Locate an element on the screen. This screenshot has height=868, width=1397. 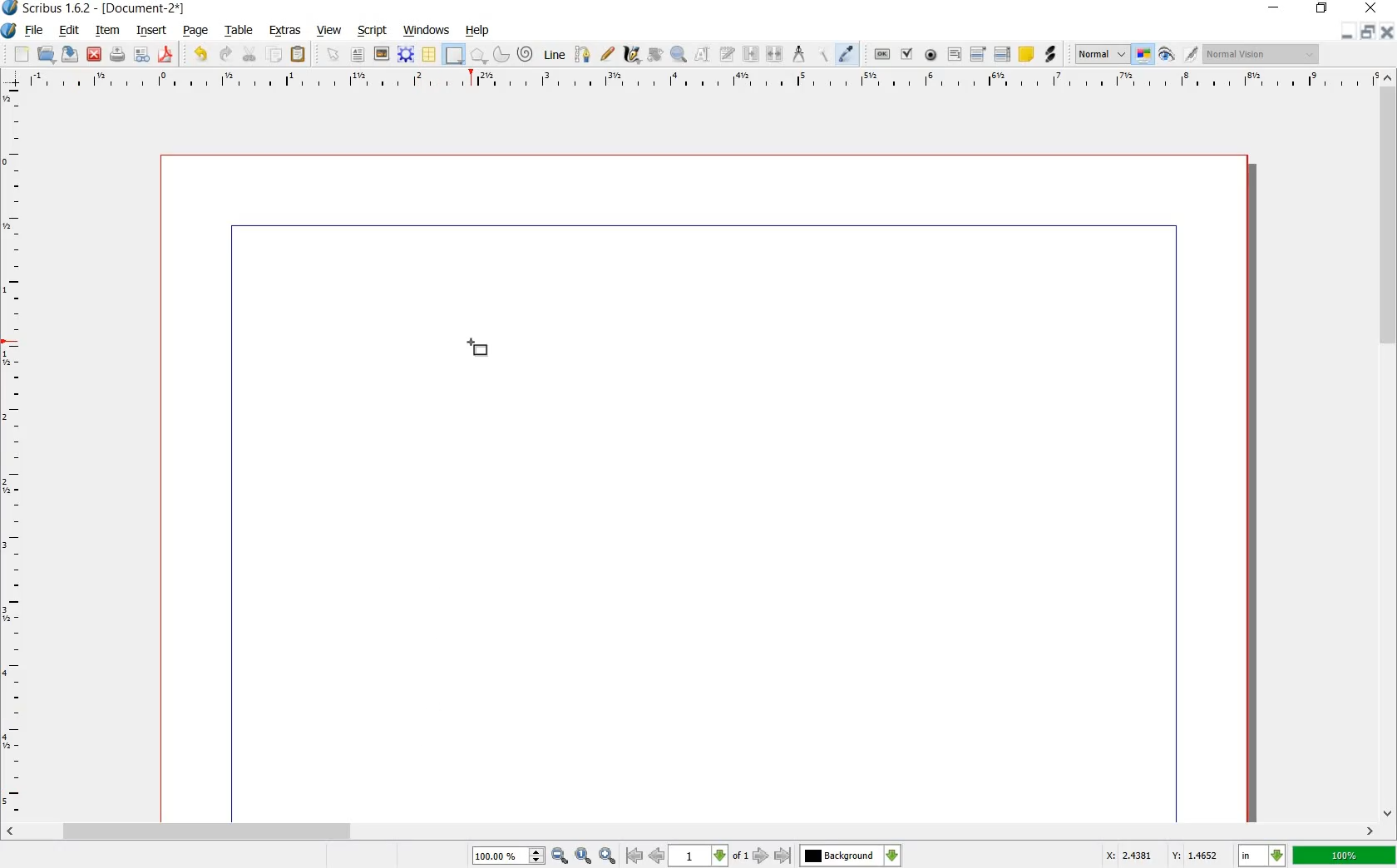
PDF COMBO BOX is located at coordinates (977, 53).